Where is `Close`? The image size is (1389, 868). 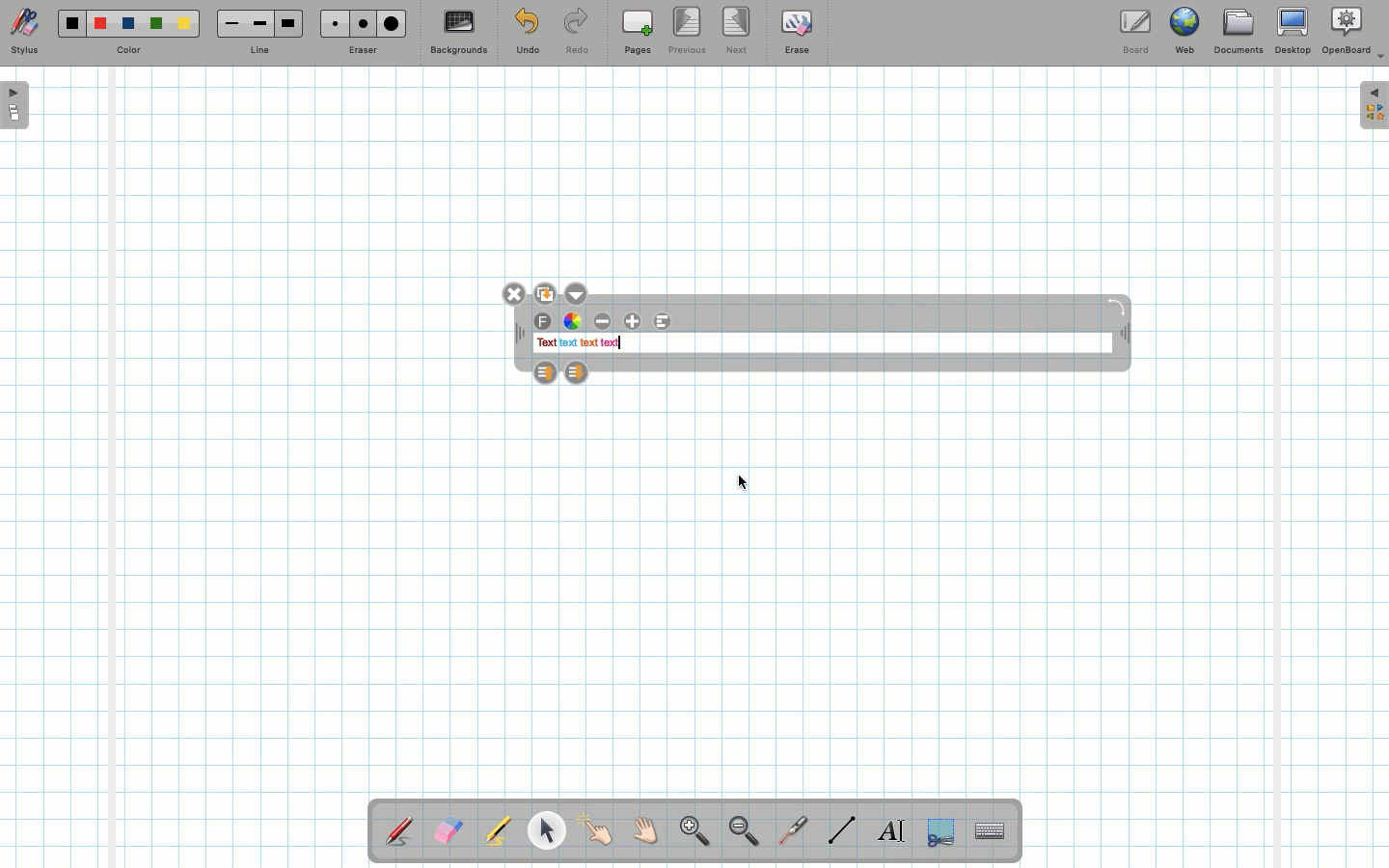 Close is located at coordinates (512, 294).